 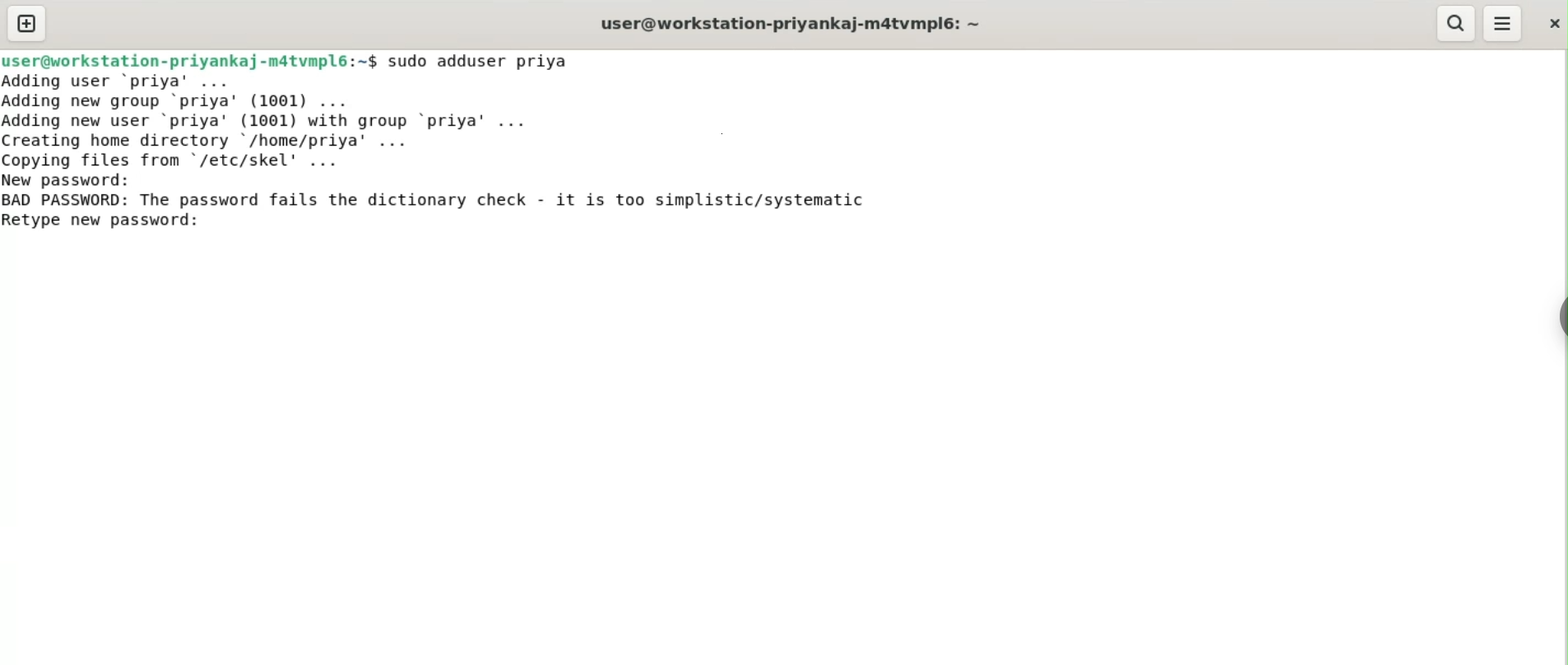 I want to click on close, so click(x=1552, y=23).